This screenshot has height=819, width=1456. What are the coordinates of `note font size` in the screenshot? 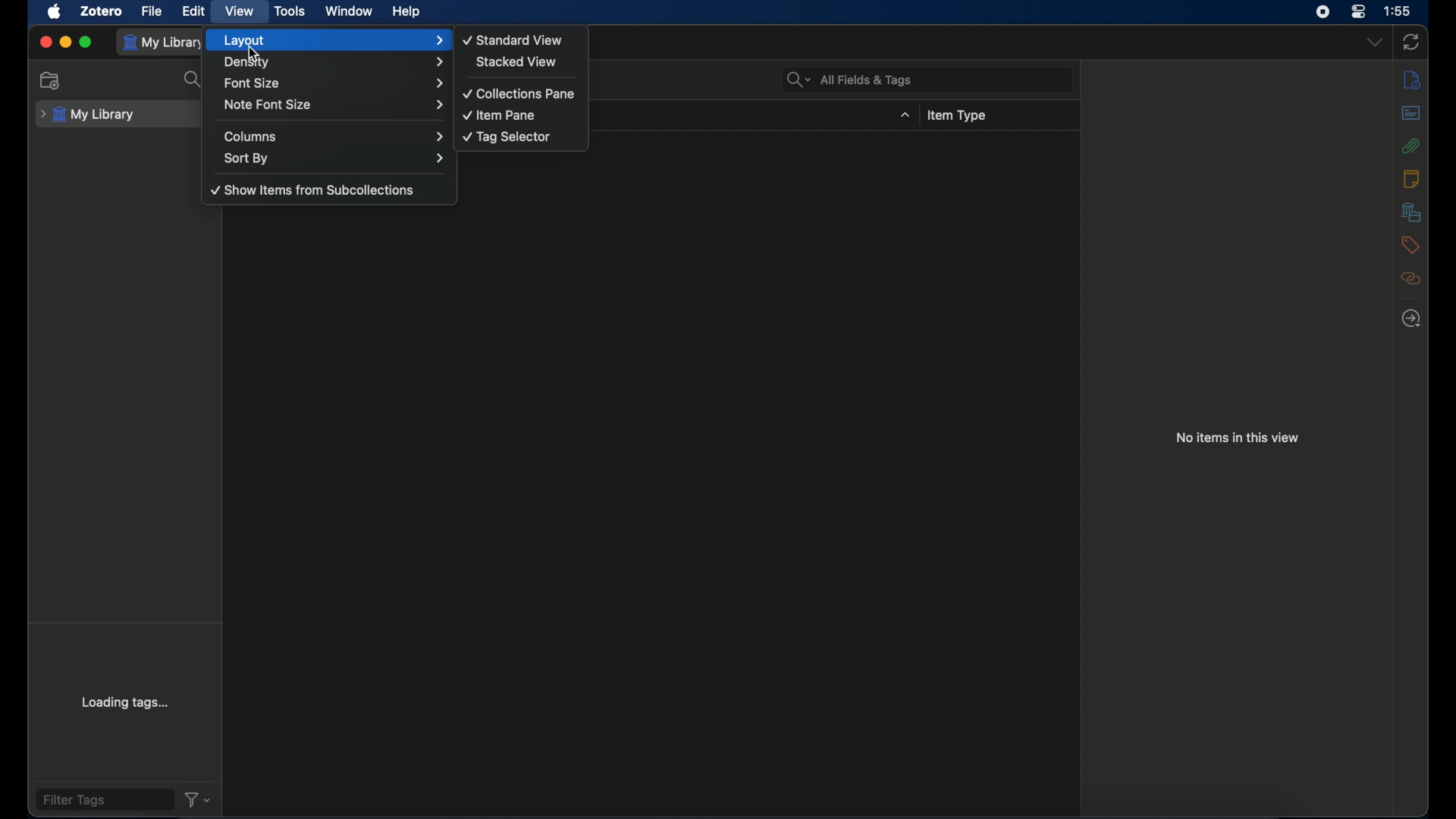 It's located at (334, 105).